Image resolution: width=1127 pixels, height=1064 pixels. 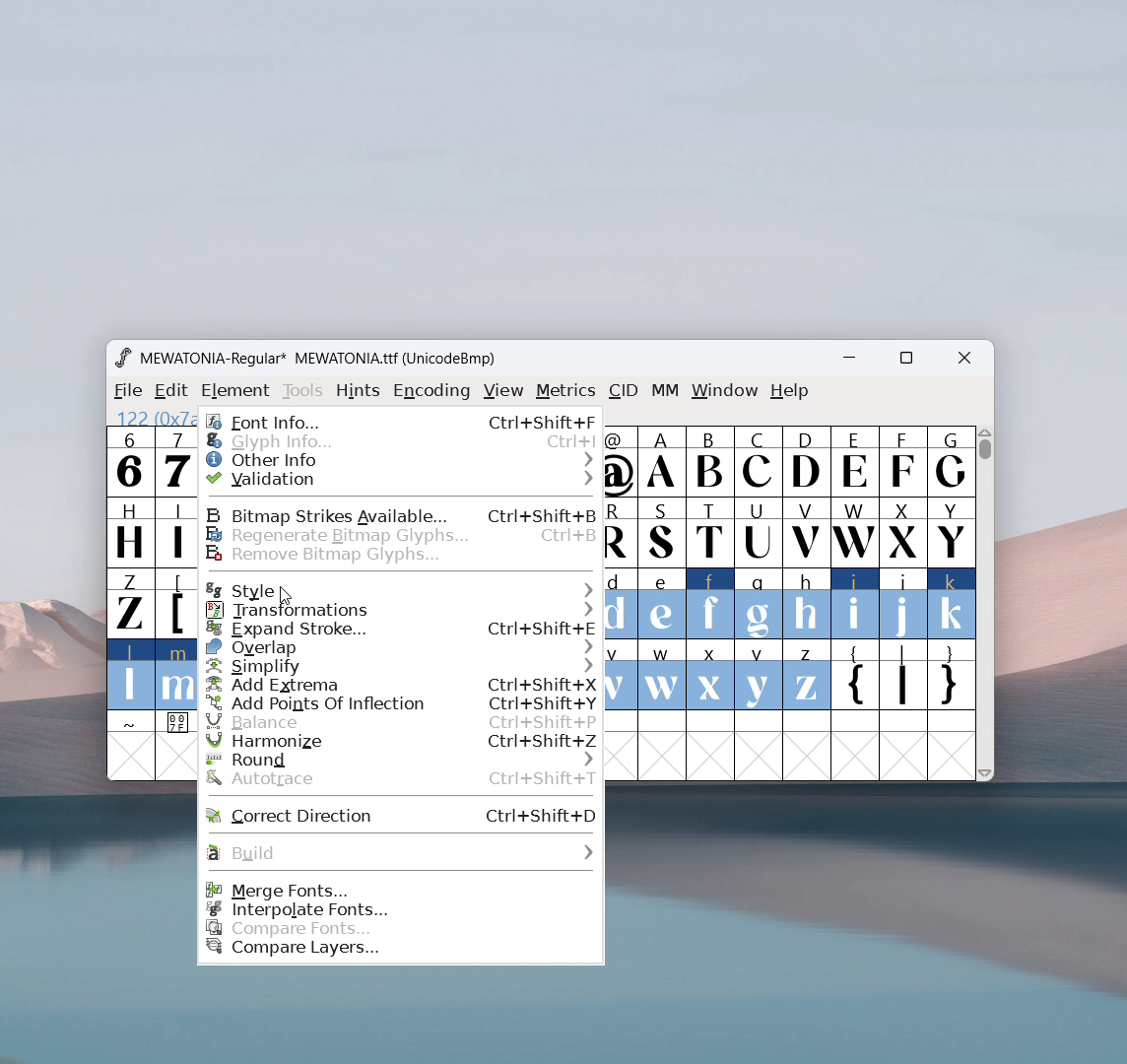 What do you see at coordinates (711, 674) in the screenshot?
I see `x` at bounding box center [711, 674].